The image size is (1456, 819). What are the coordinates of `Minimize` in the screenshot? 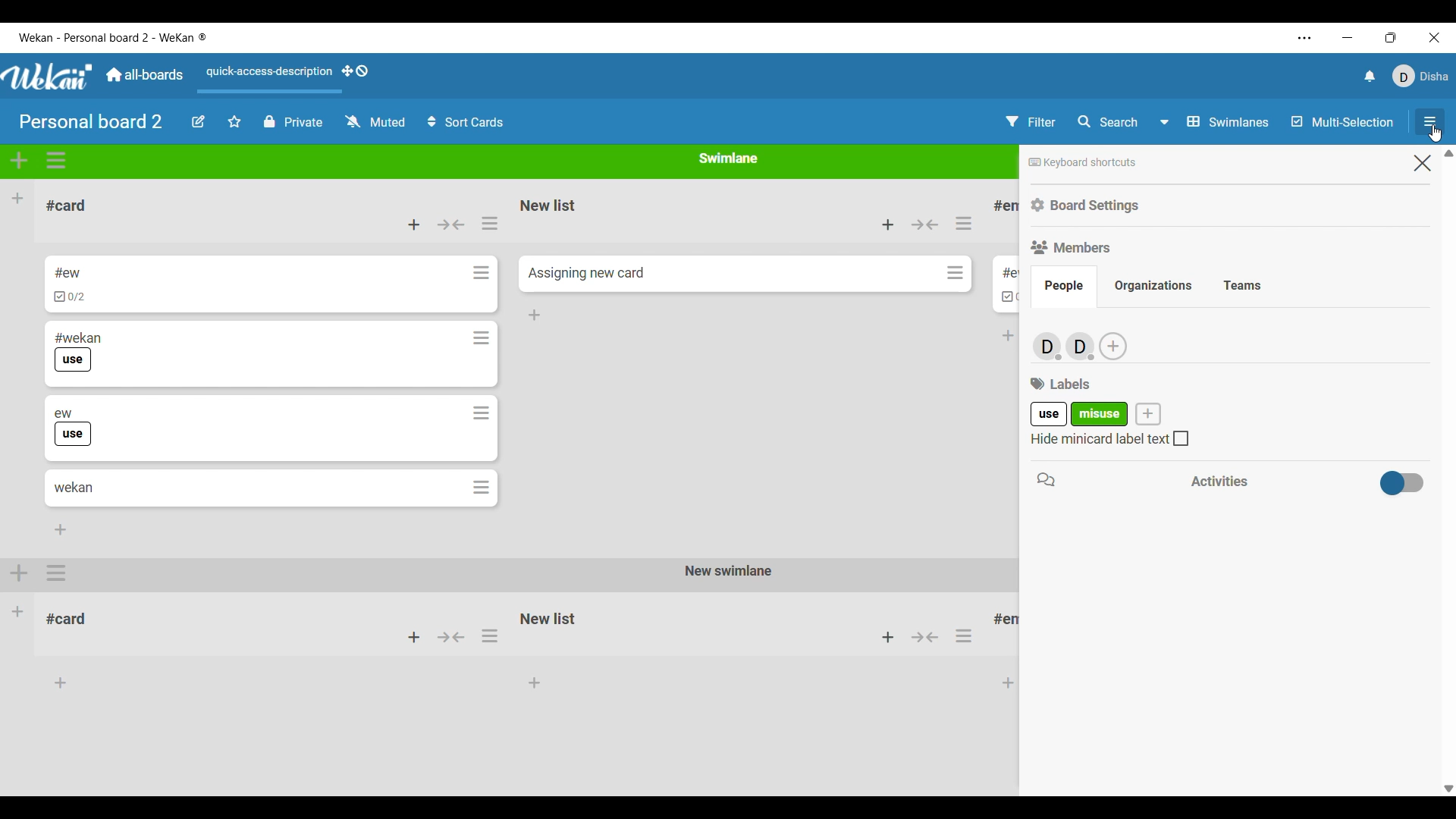 It's located at (1348, 38).